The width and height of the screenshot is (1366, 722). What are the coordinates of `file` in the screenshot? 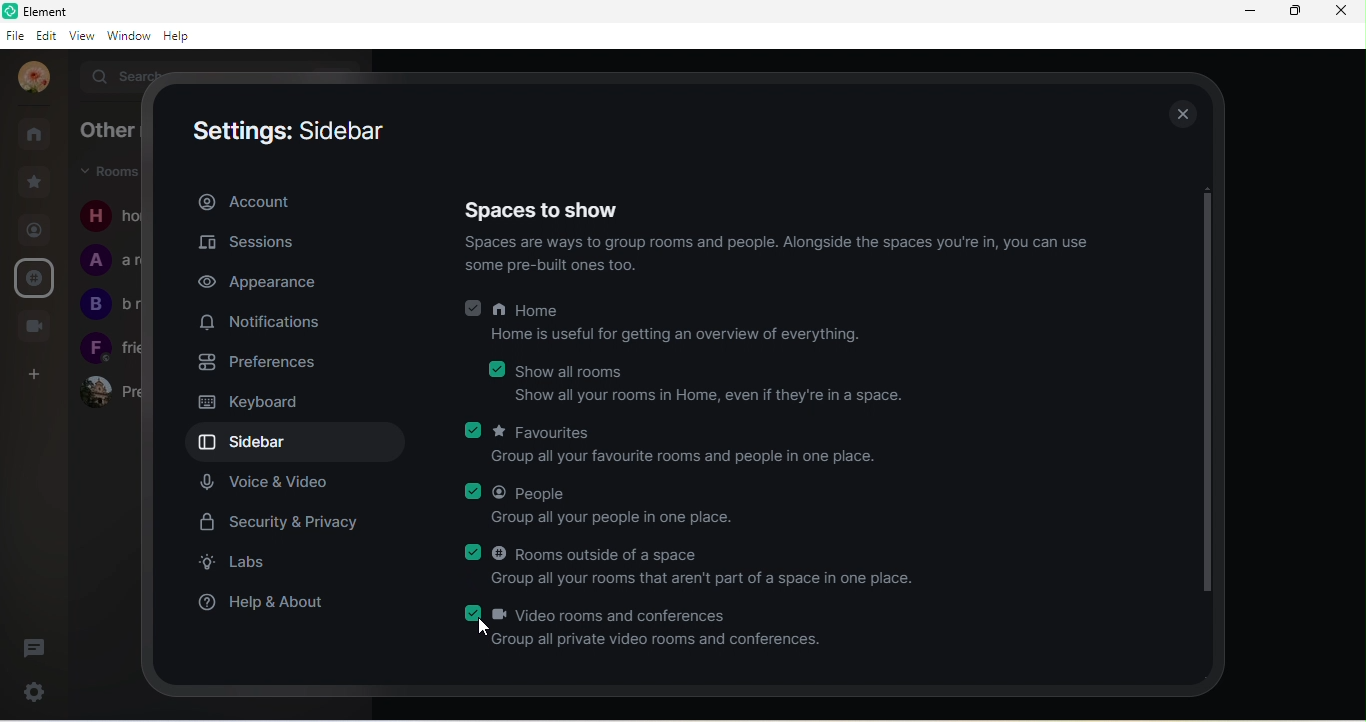 It's located at (17, 38).